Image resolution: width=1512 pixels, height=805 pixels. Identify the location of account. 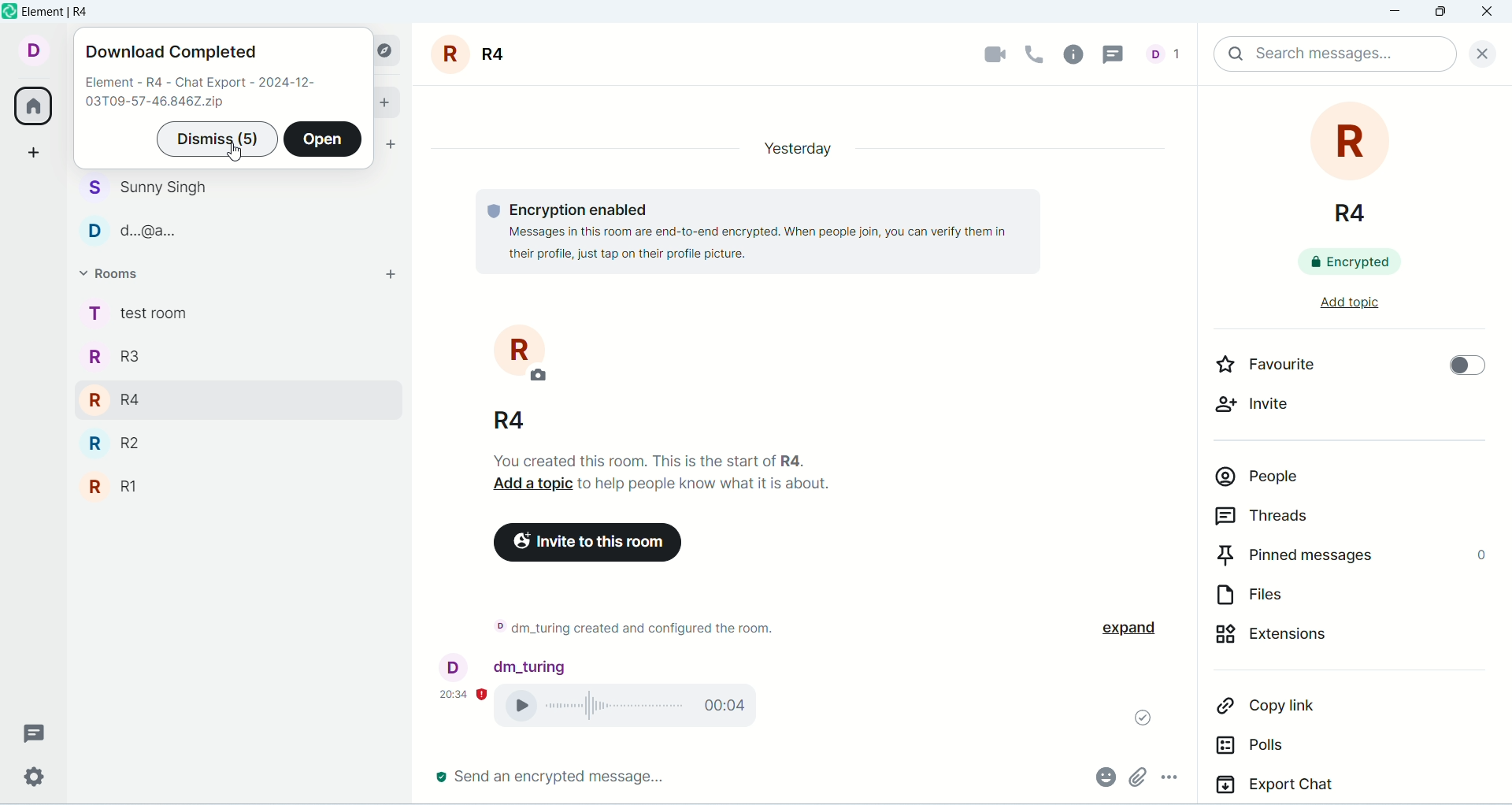
(31, 49).